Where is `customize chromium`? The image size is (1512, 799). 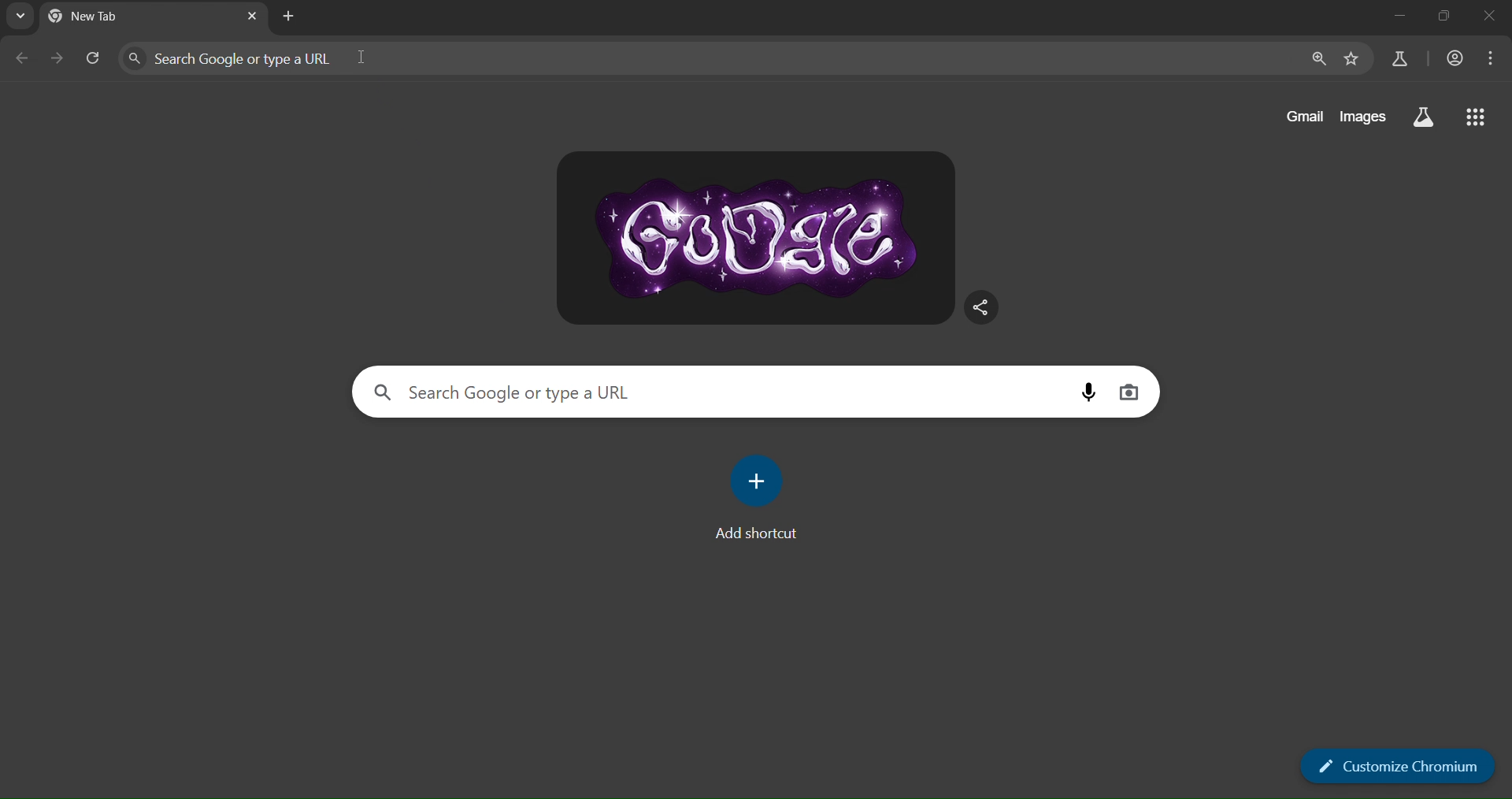 customize chromium is located at coordinates (1395, 767).